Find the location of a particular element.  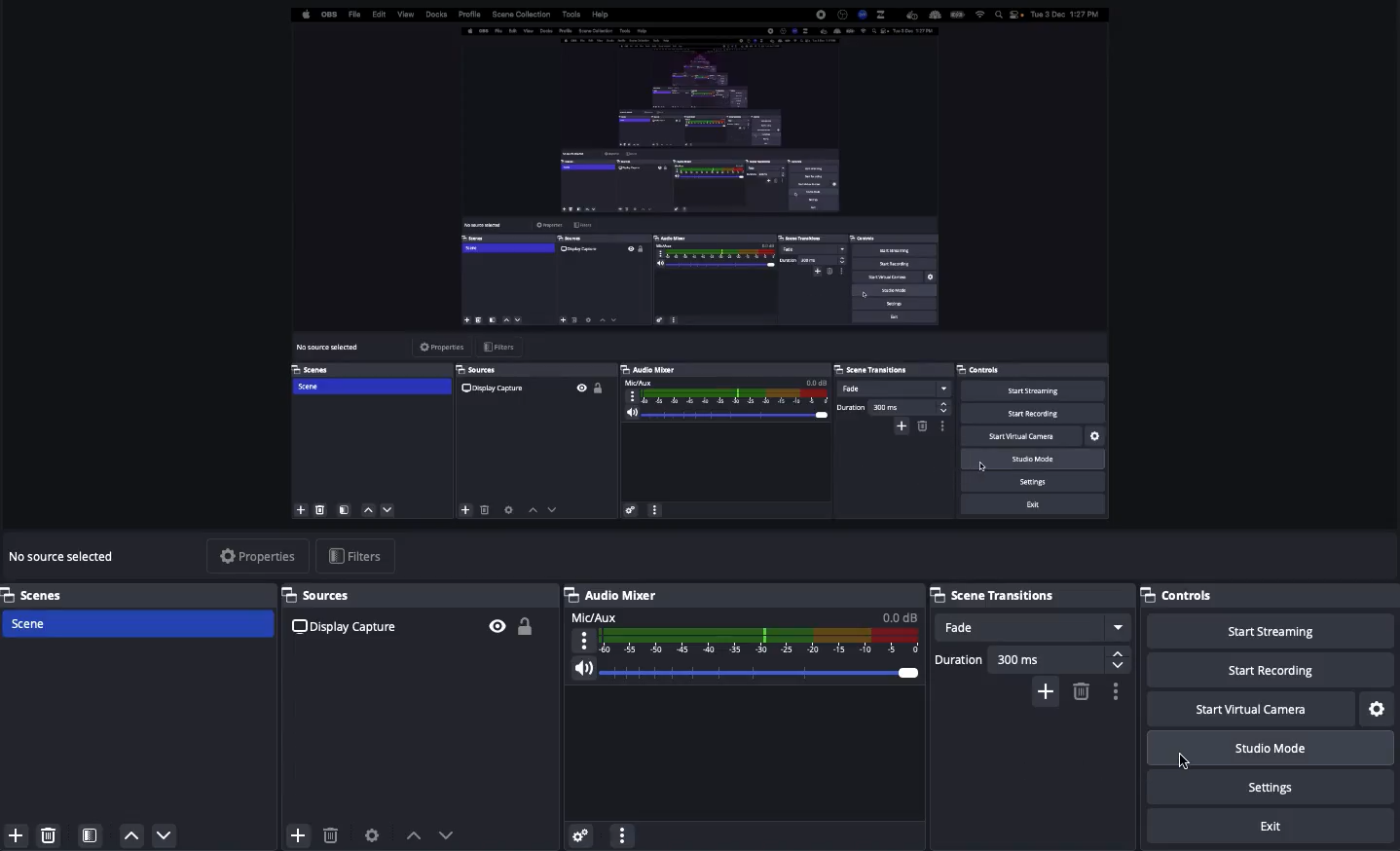

Settings is located at coordinates (1379, 707).